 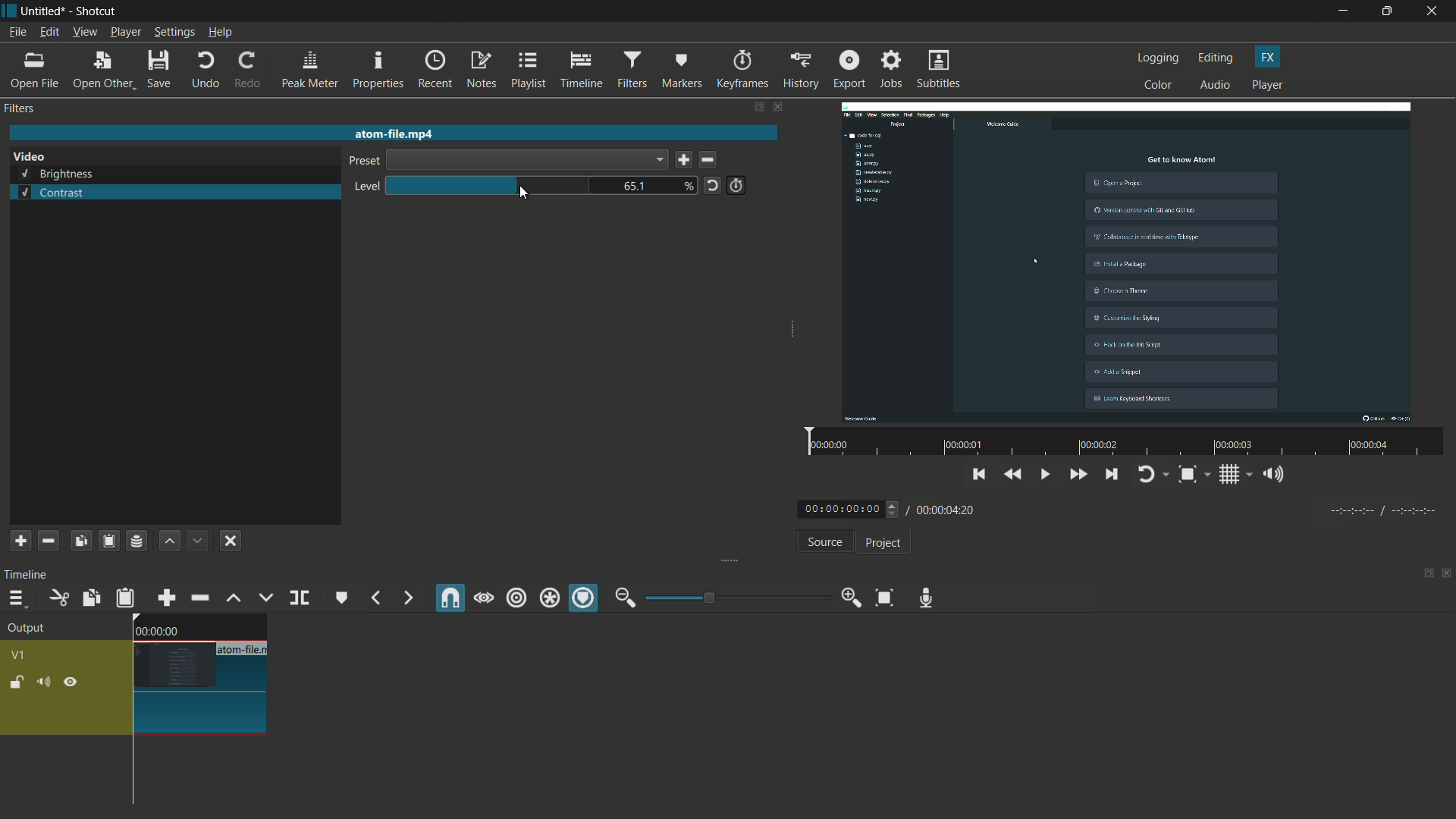 I want to click on skip to the next point, so click(x=1112, y=476).